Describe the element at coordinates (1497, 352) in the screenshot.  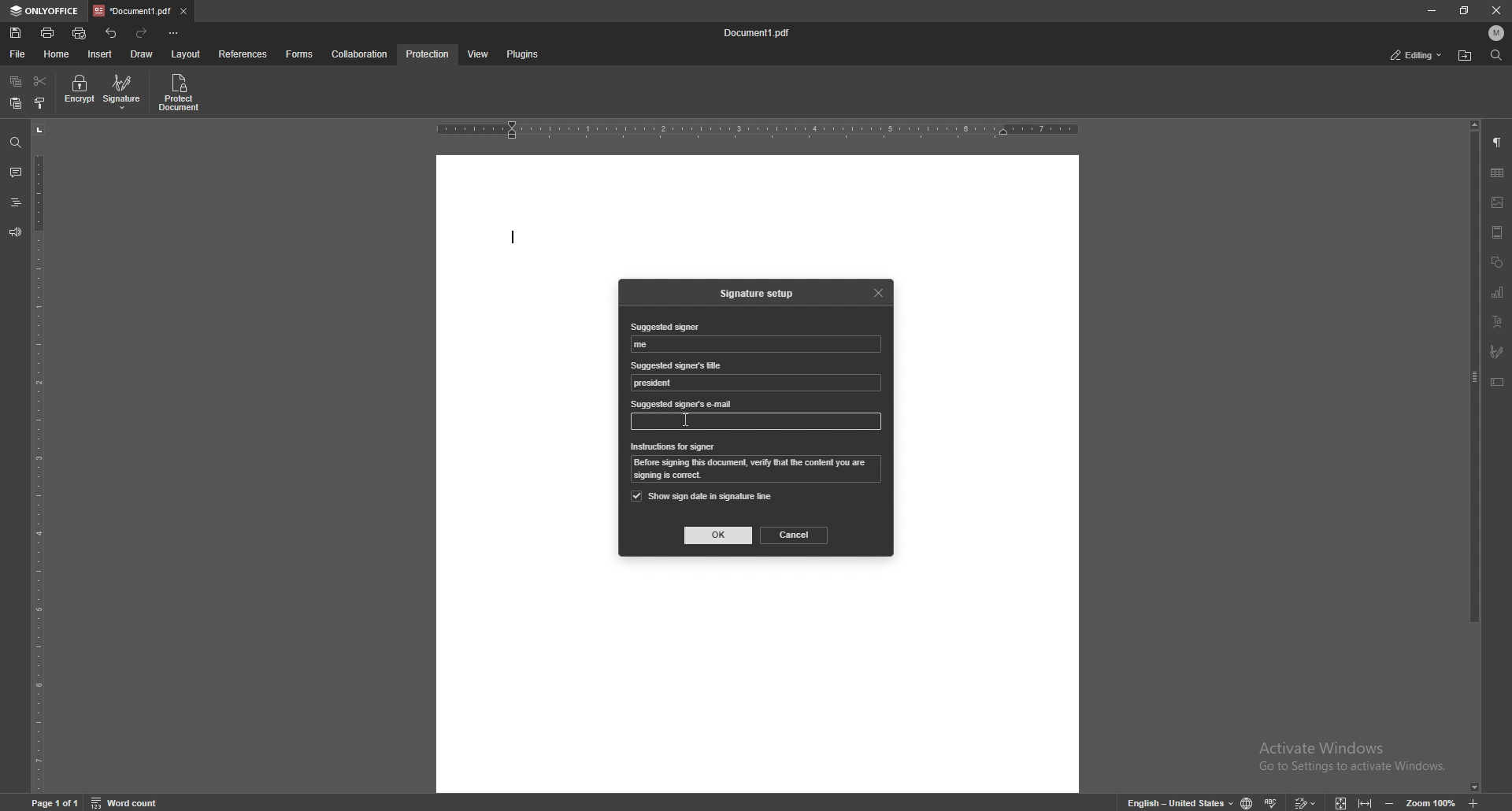
I see `signature` at that location.